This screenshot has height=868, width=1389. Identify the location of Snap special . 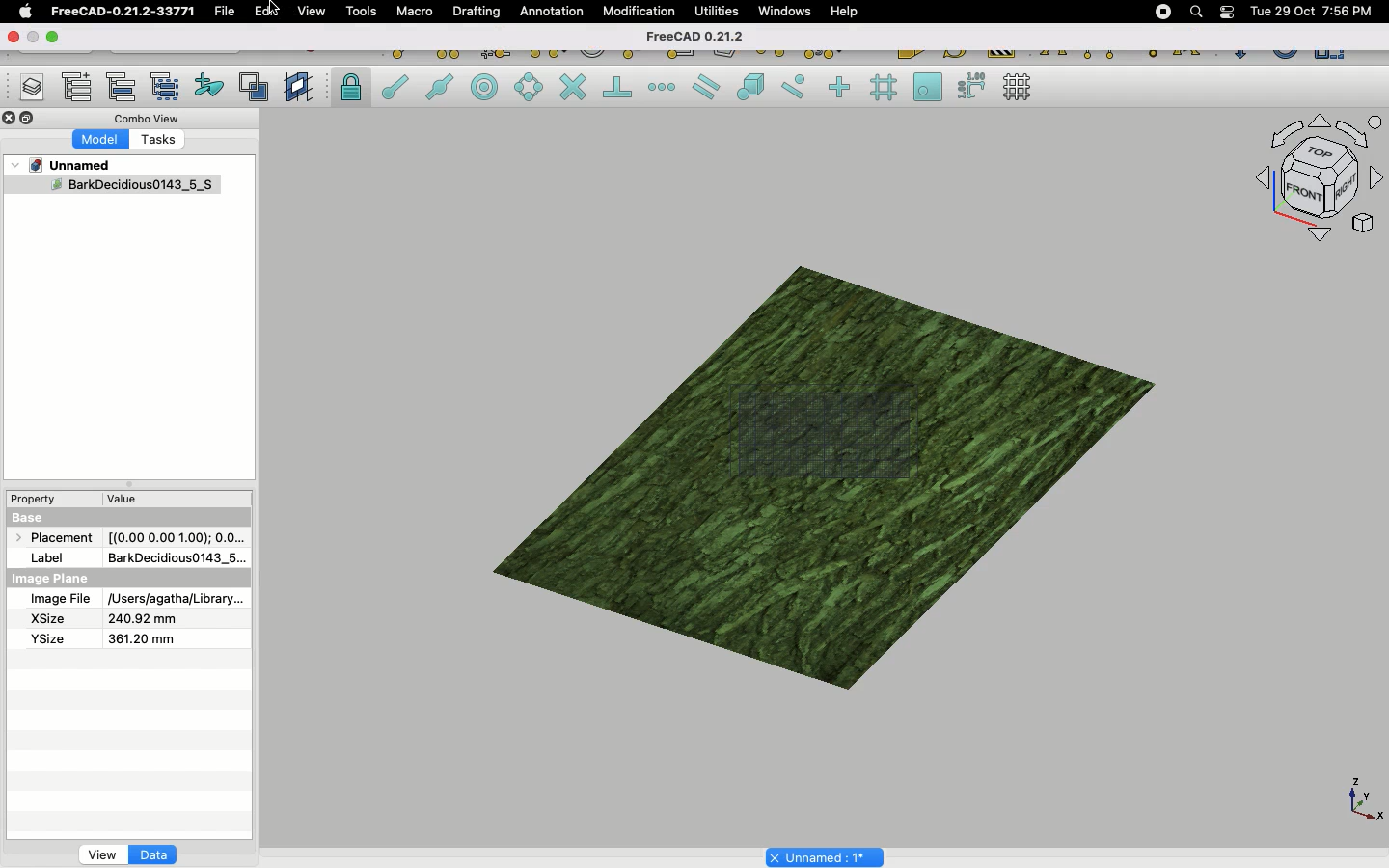
(754, 89).